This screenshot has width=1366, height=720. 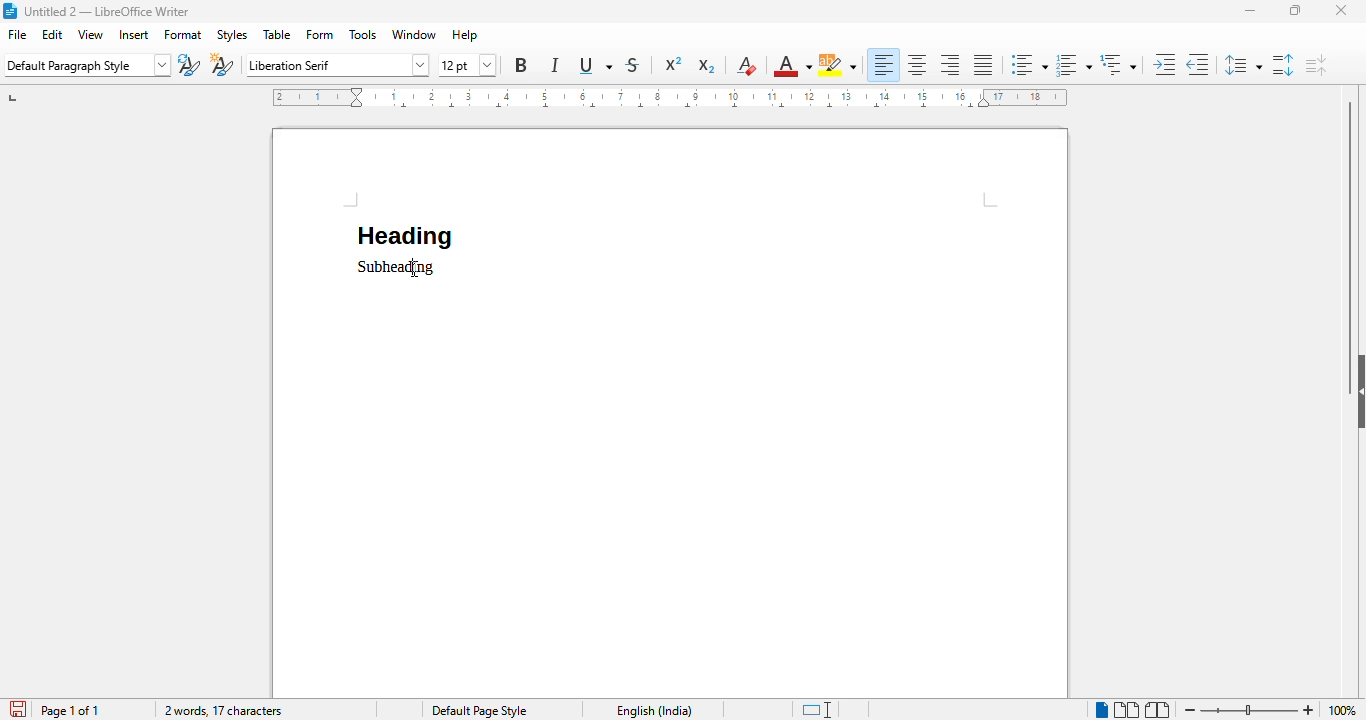 I want to click on styles, so click(x=231, y=35).